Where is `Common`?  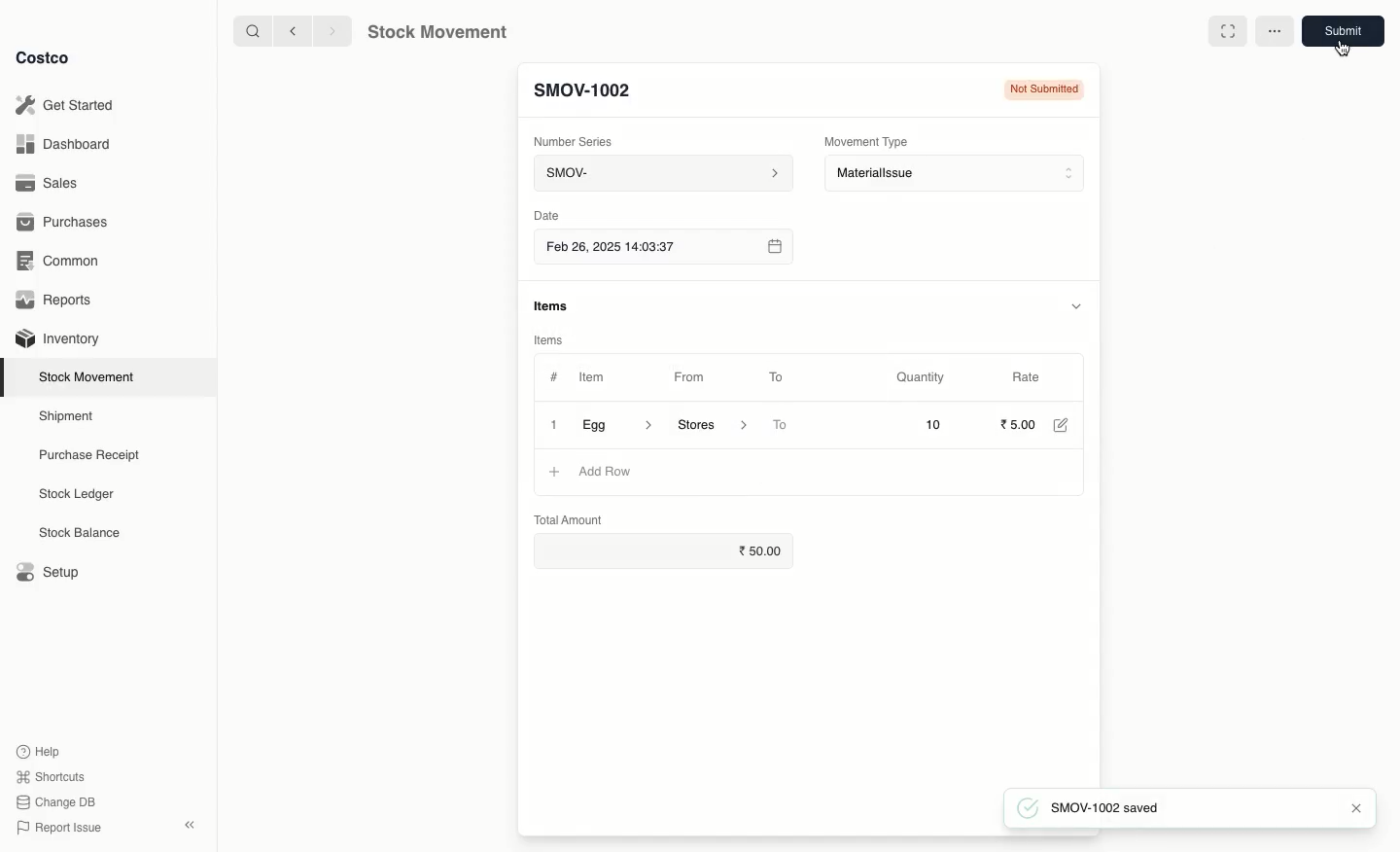
Common is located at coordinates (63, 263).